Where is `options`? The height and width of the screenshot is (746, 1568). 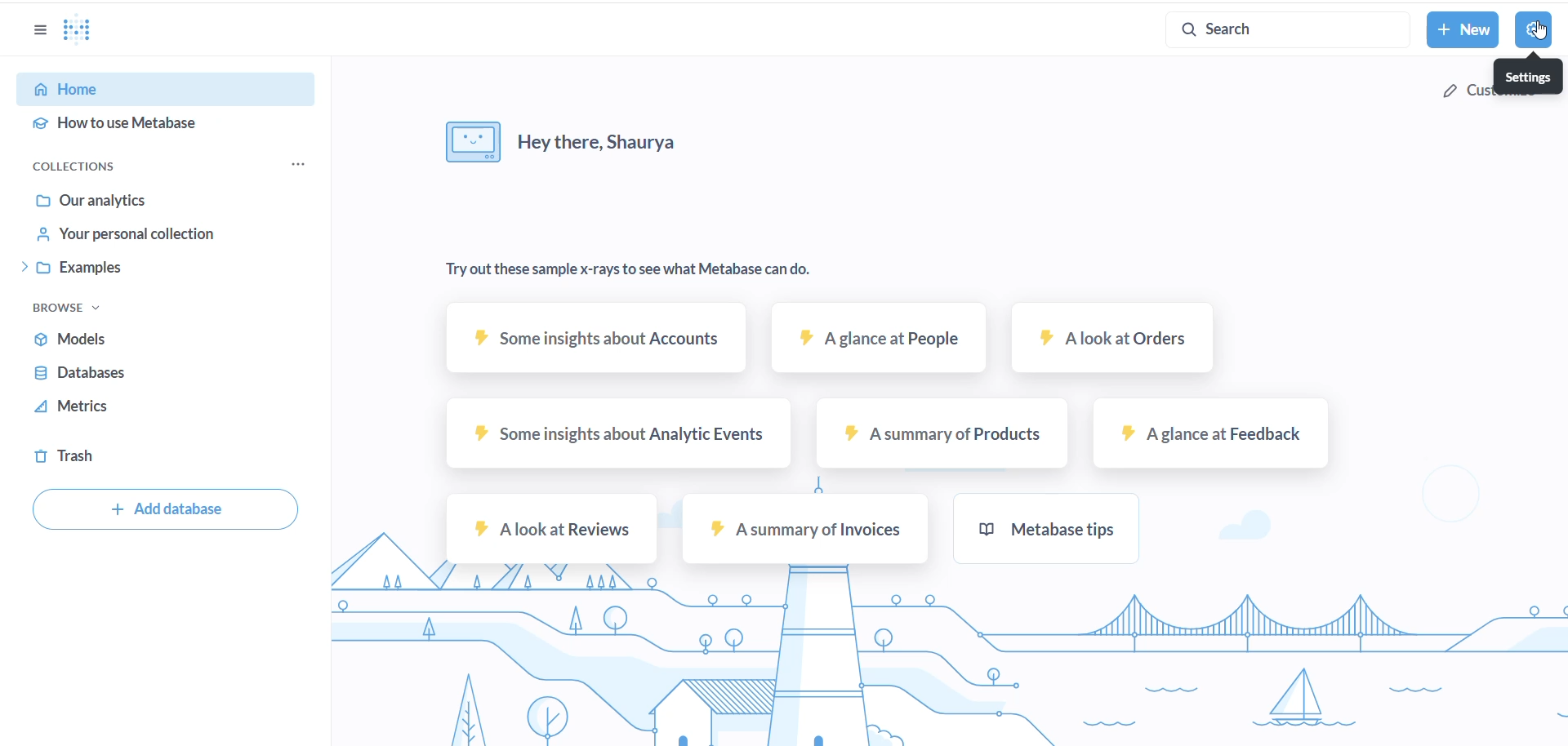 options is located at coordinates (38, 30).